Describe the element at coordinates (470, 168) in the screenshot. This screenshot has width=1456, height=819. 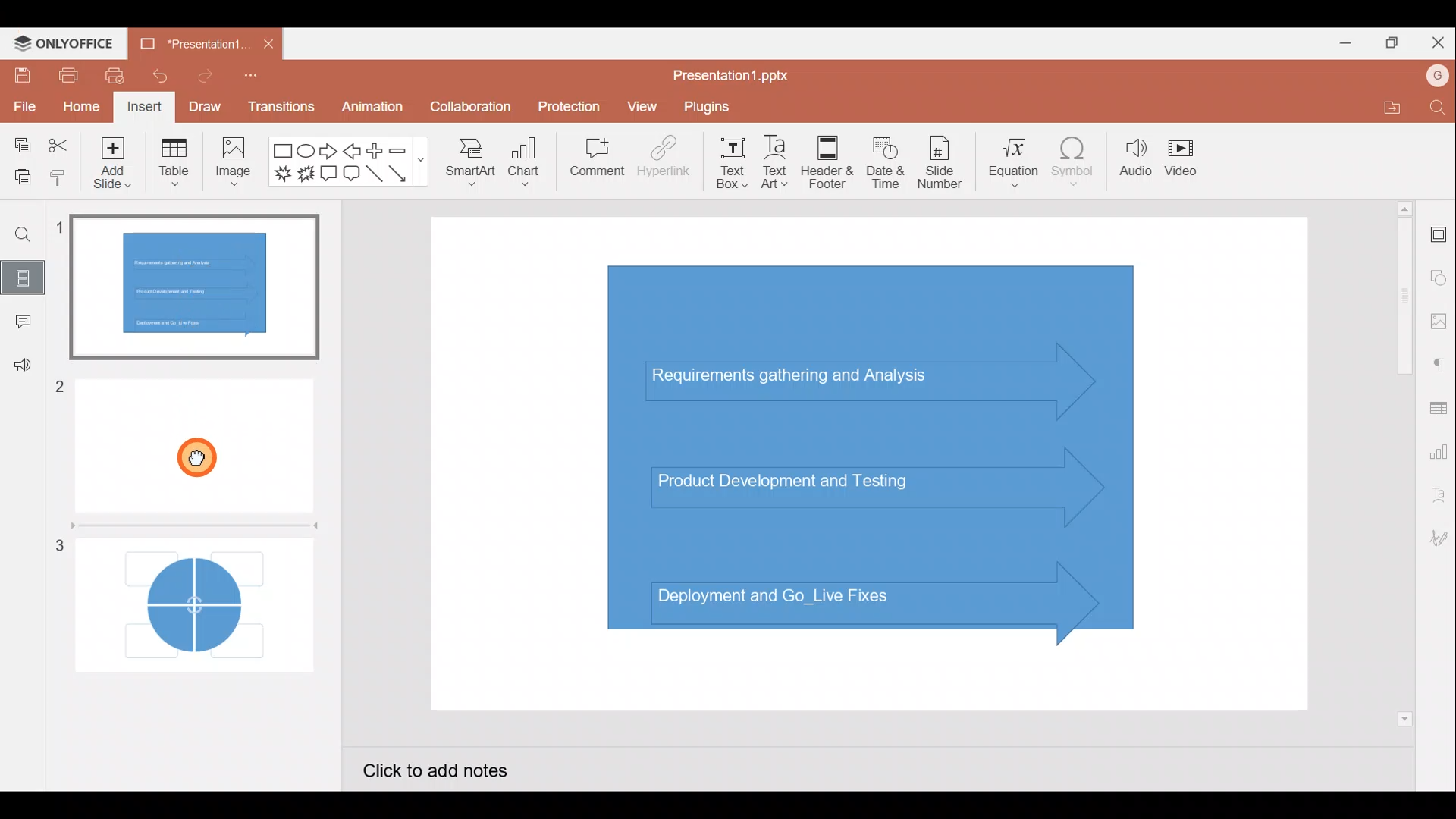
I see `SmartArt` at that location.